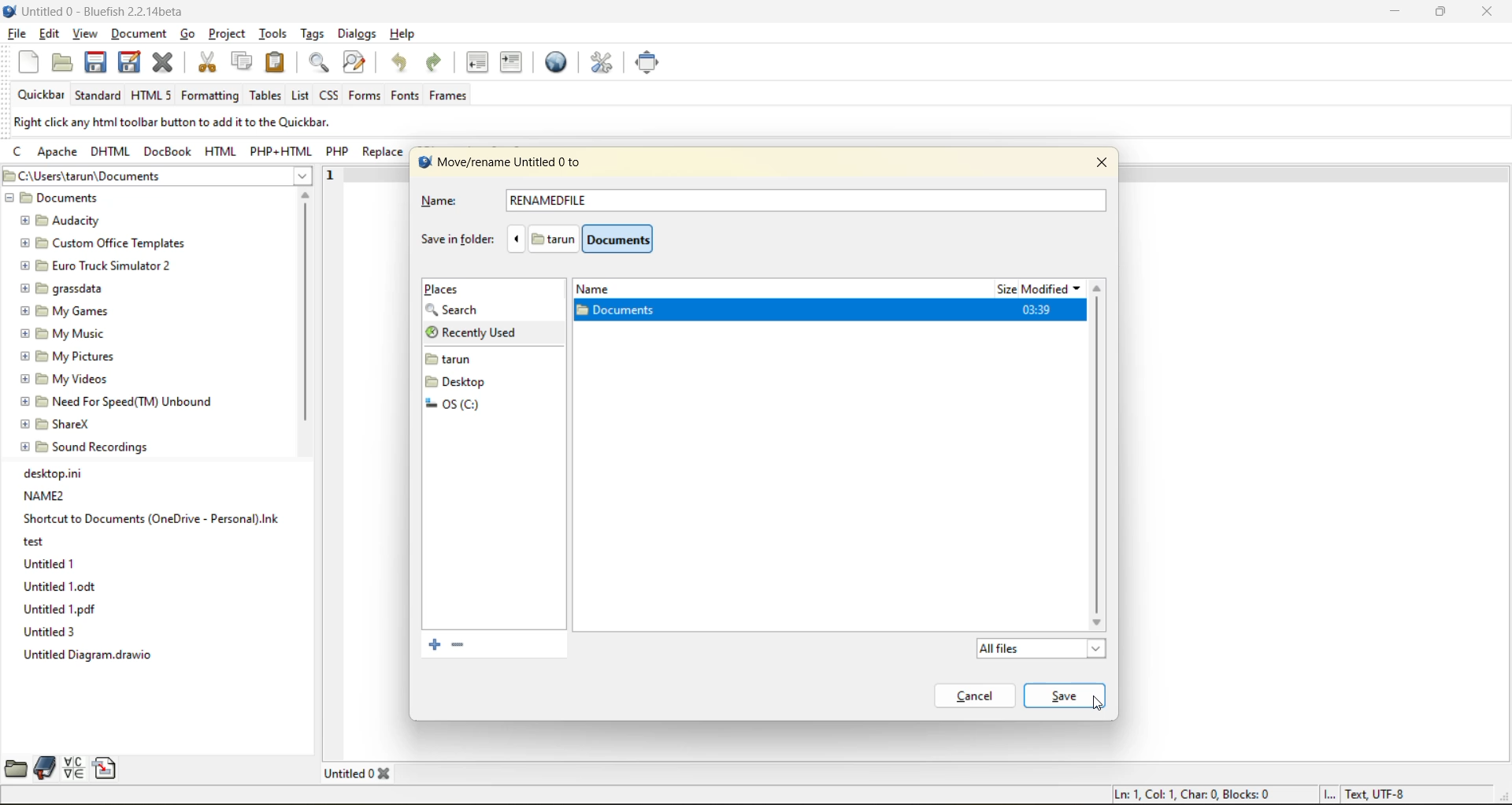  What do you see at coordinates (65, 358) in the screenshot?
I see `My pictures` at bounding box center [65, 358].